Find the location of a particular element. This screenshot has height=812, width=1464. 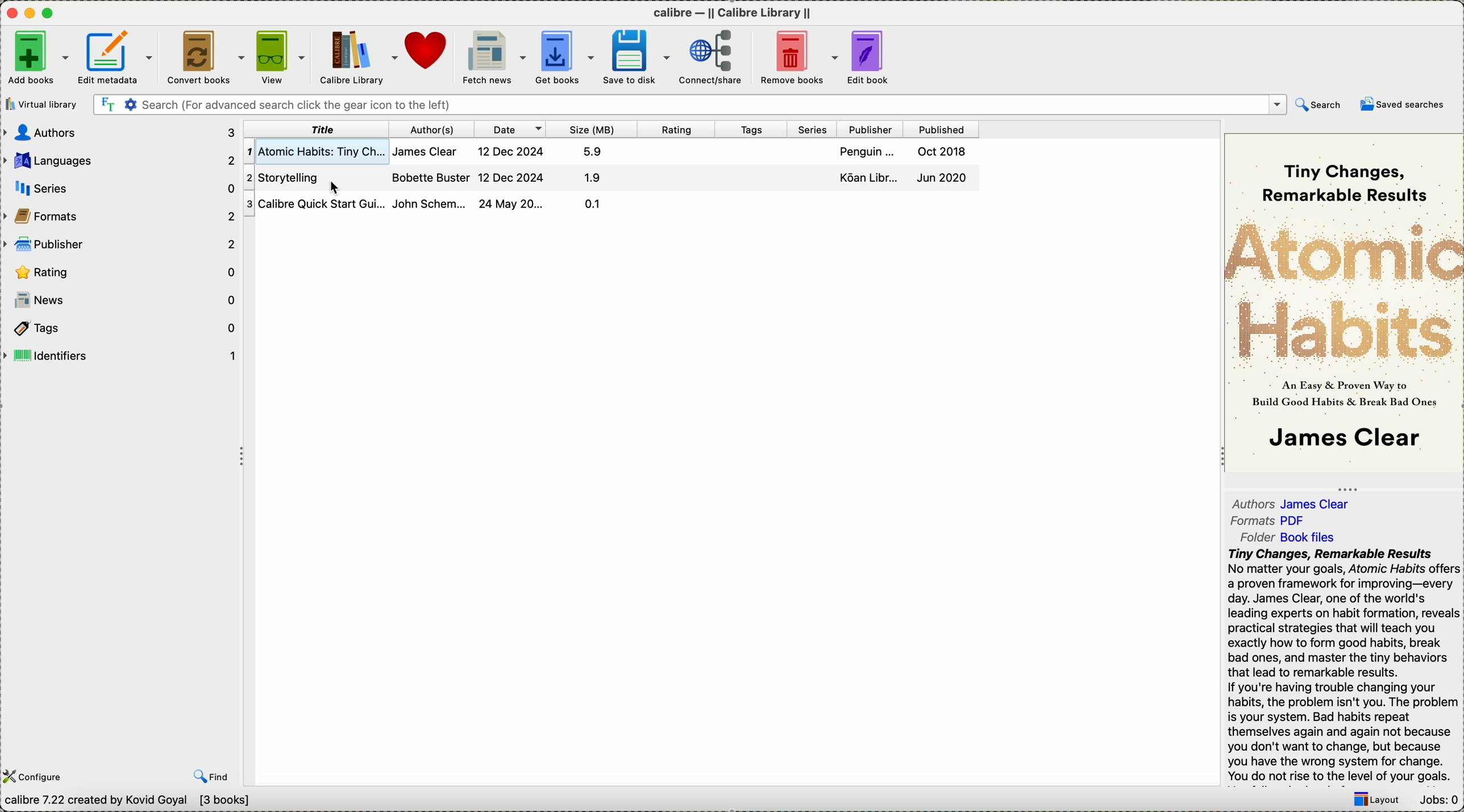

Cursor is located at coordinates (336, 188).